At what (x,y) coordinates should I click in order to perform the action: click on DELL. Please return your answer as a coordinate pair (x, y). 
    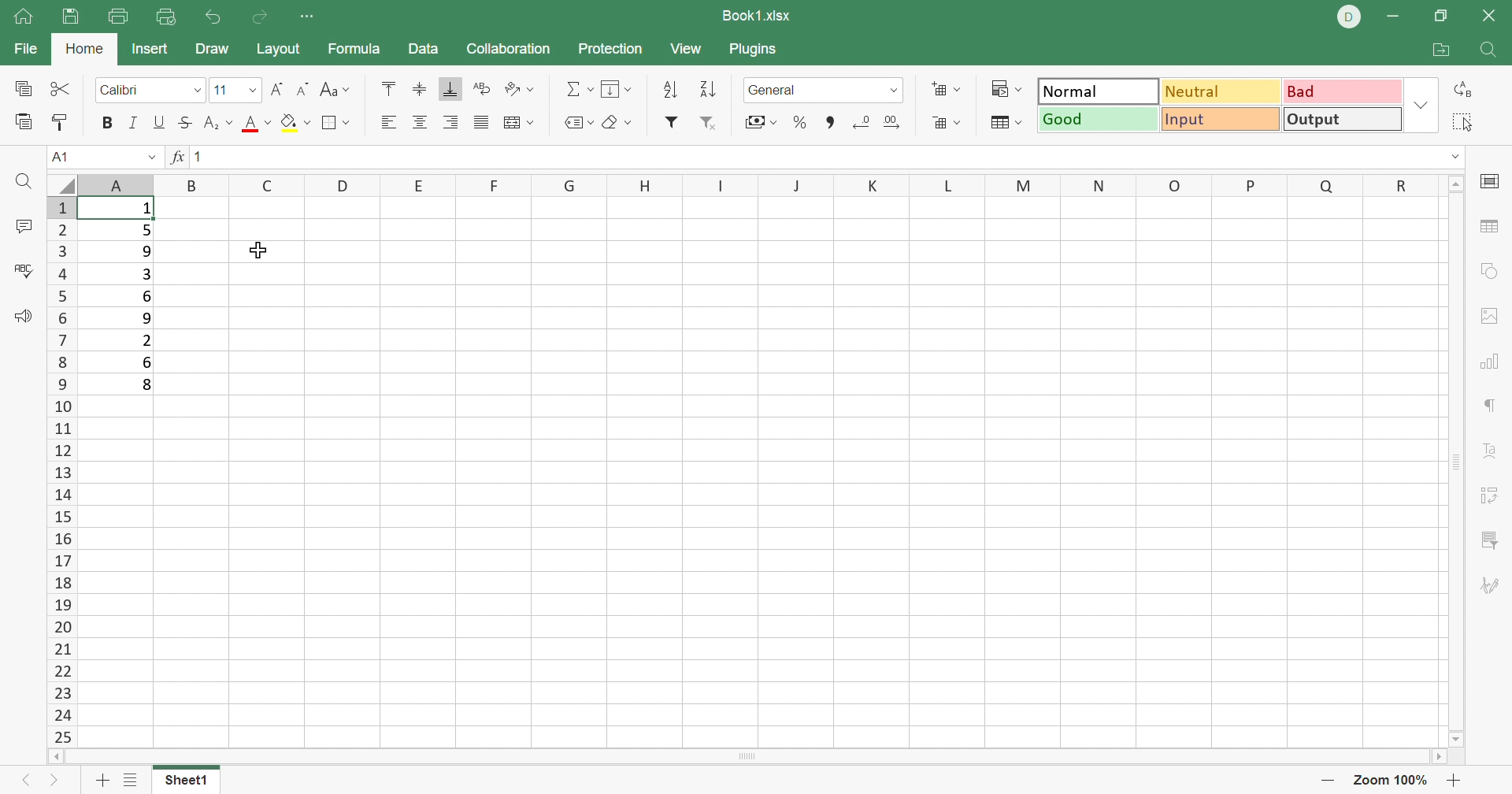
    Looking at the image, I should click on (1350, 20).